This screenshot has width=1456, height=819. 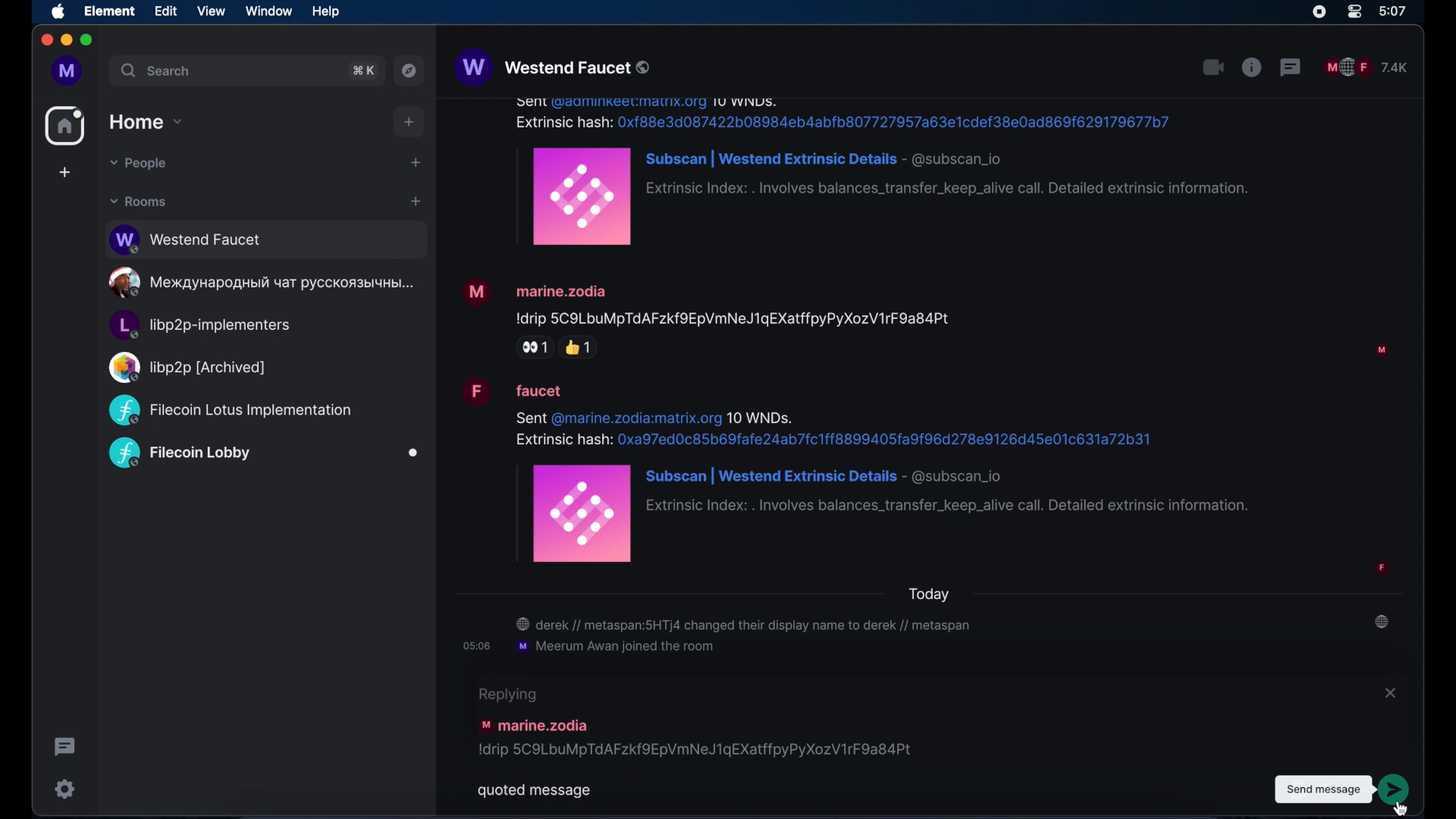 I want to click on cursor, so click(x=1402, y=808).